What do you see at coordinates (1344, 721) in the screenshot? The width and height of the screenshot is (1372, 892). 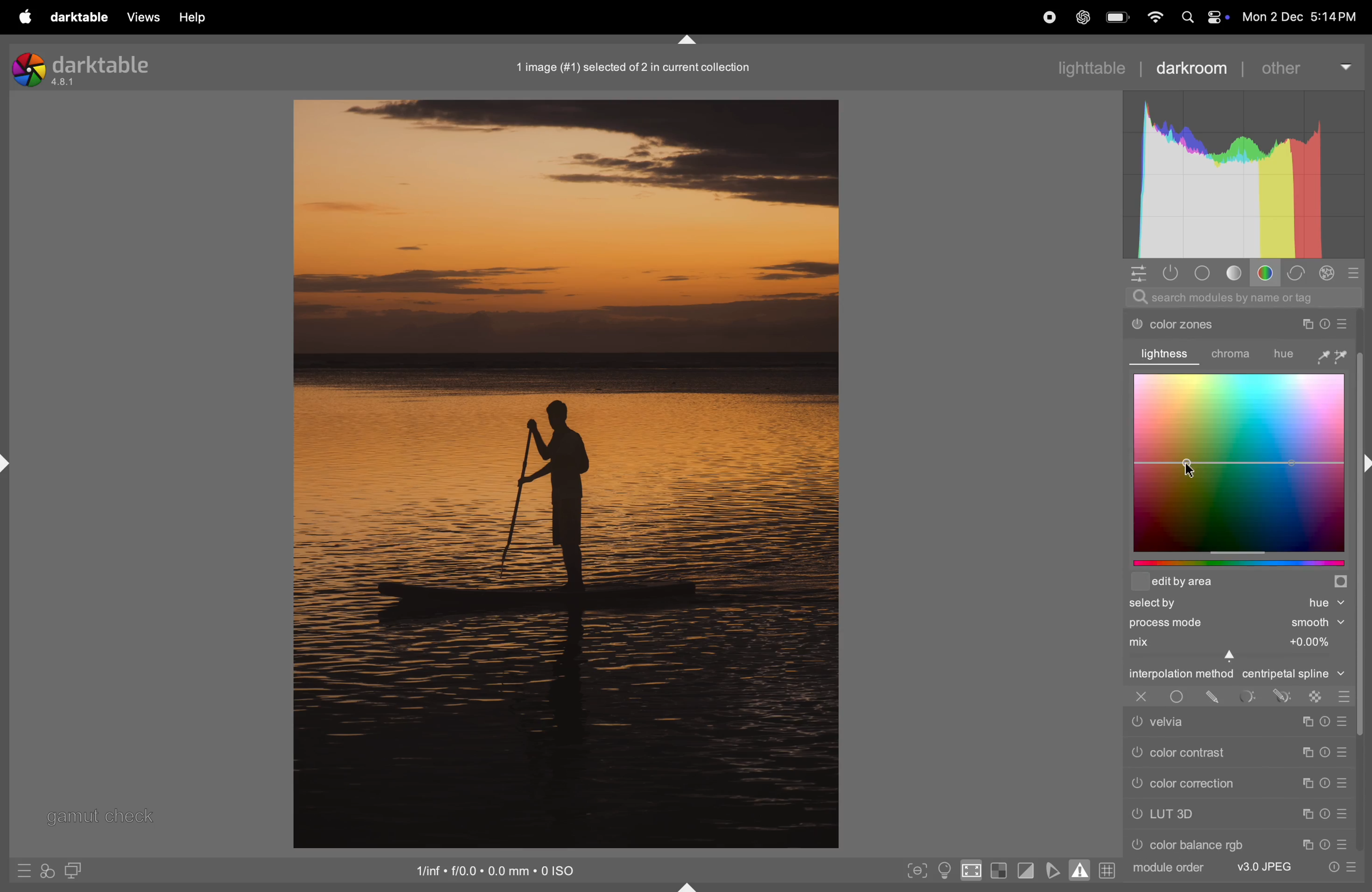 I see `Preset` at bounding box center [1344, 721].